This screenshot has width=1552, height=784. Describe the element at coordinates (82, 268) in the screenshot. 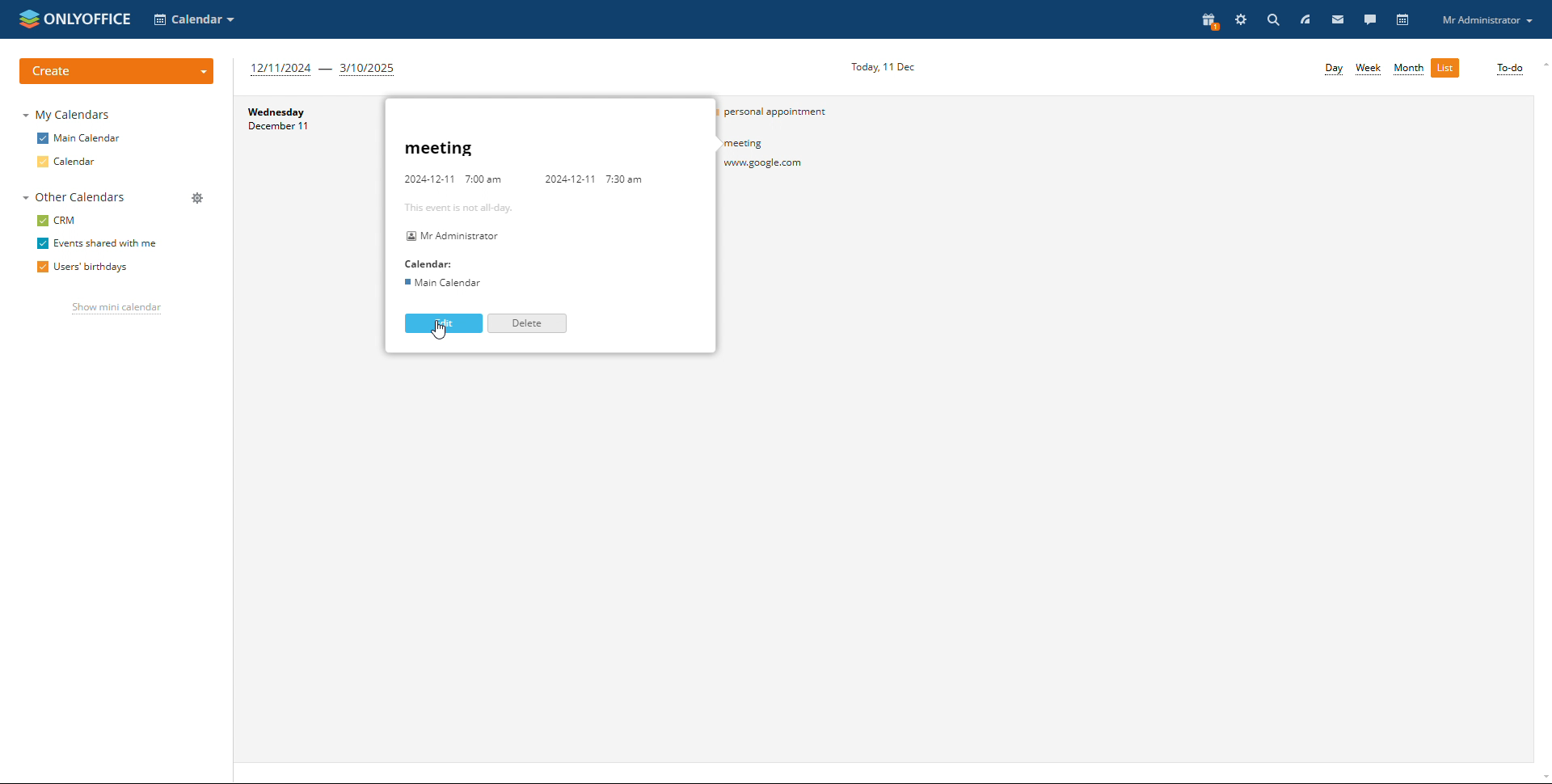

I see `users' birthdays` at that location.